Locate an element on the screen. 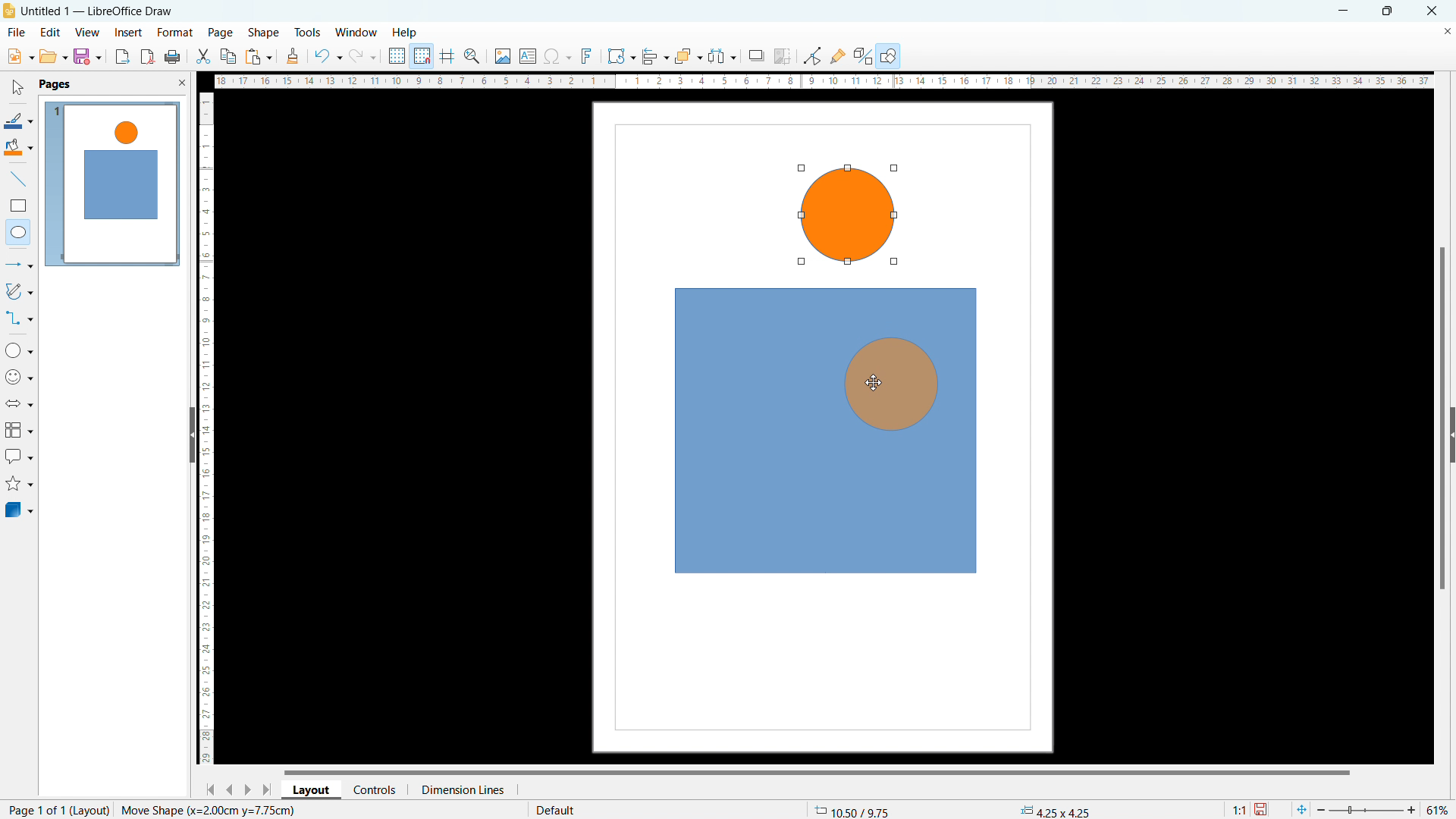  insert text box is located at coordinates (529, 55).